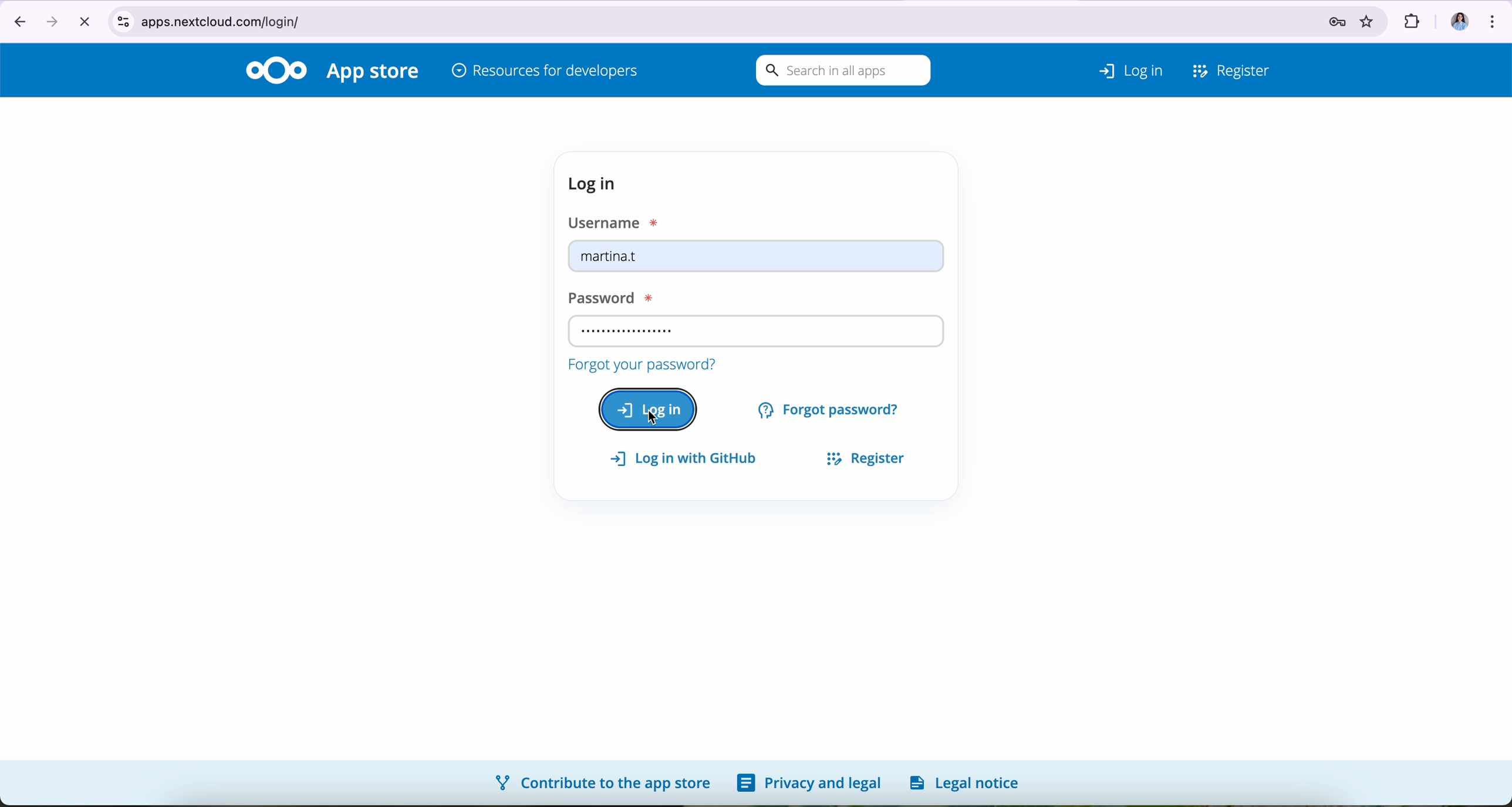 The height and width of the screenshot is (807, 1512). What do you see at coordinates (757, 259) in the screenshot?
I see `martina.t` at bounding box center [757, 259].